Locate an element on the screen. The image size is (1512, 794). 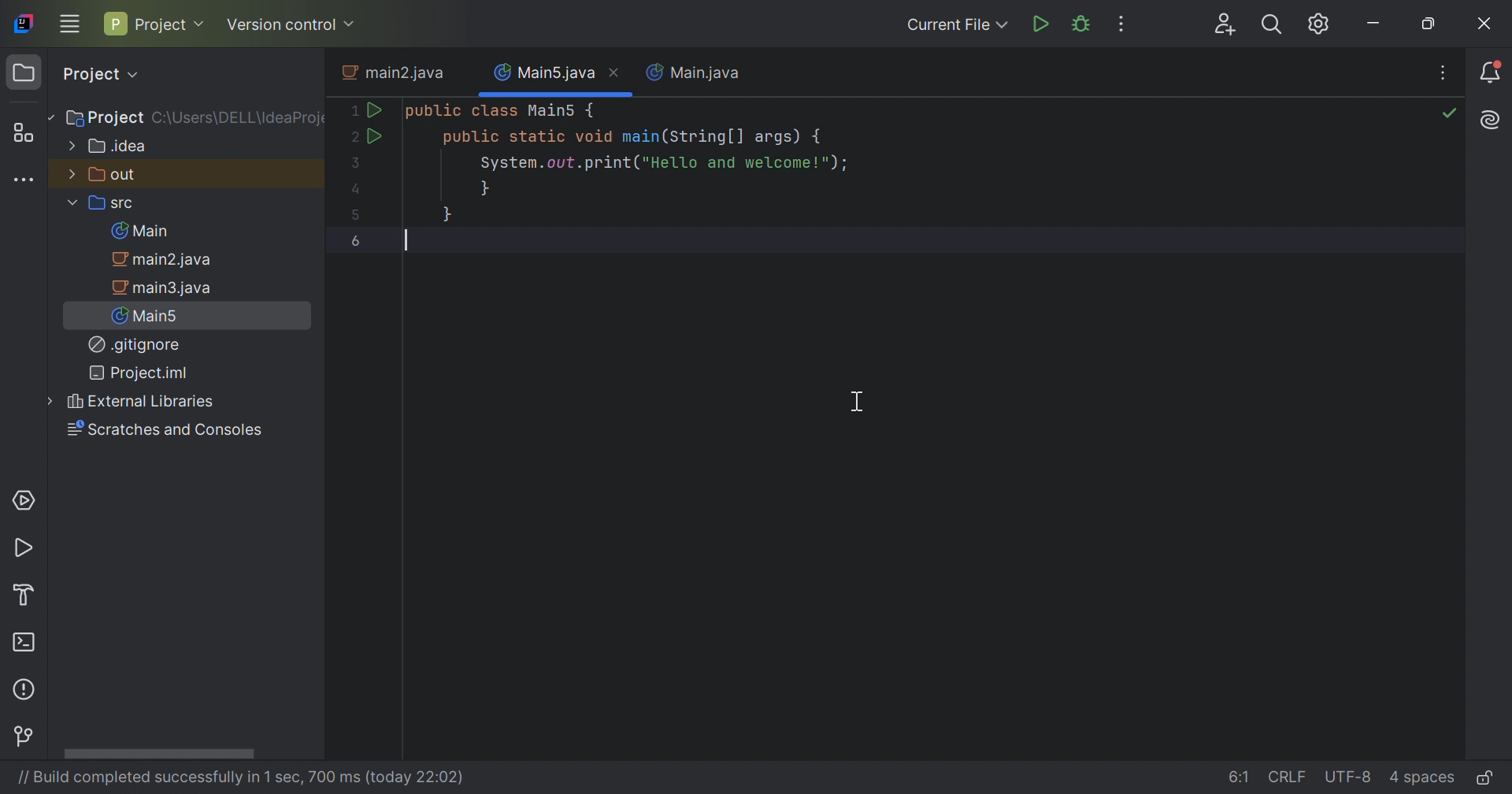
Notifications is located at coordinates (1494, 74).